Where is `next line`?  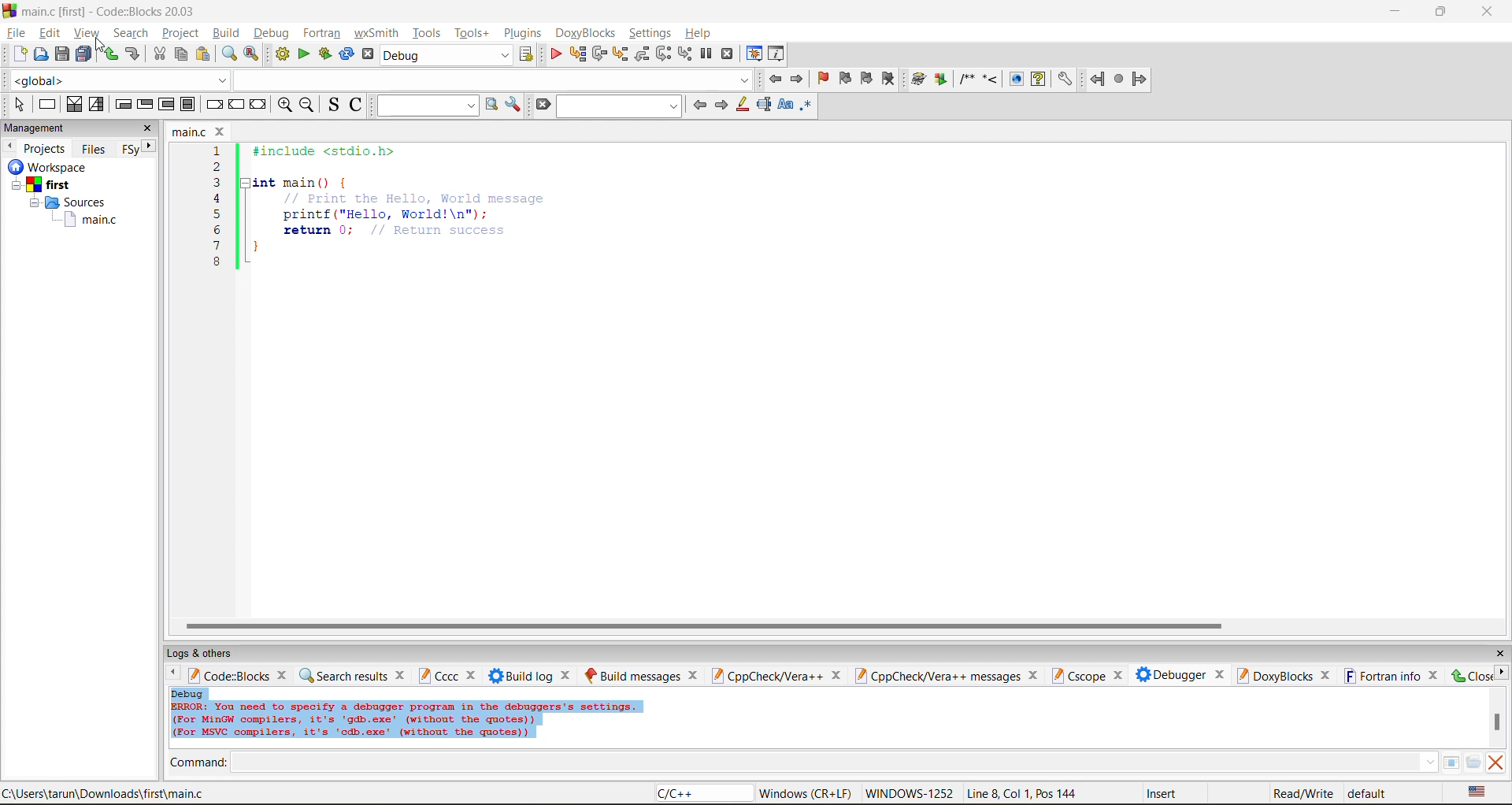
next line is located at coordinates (602, 55).